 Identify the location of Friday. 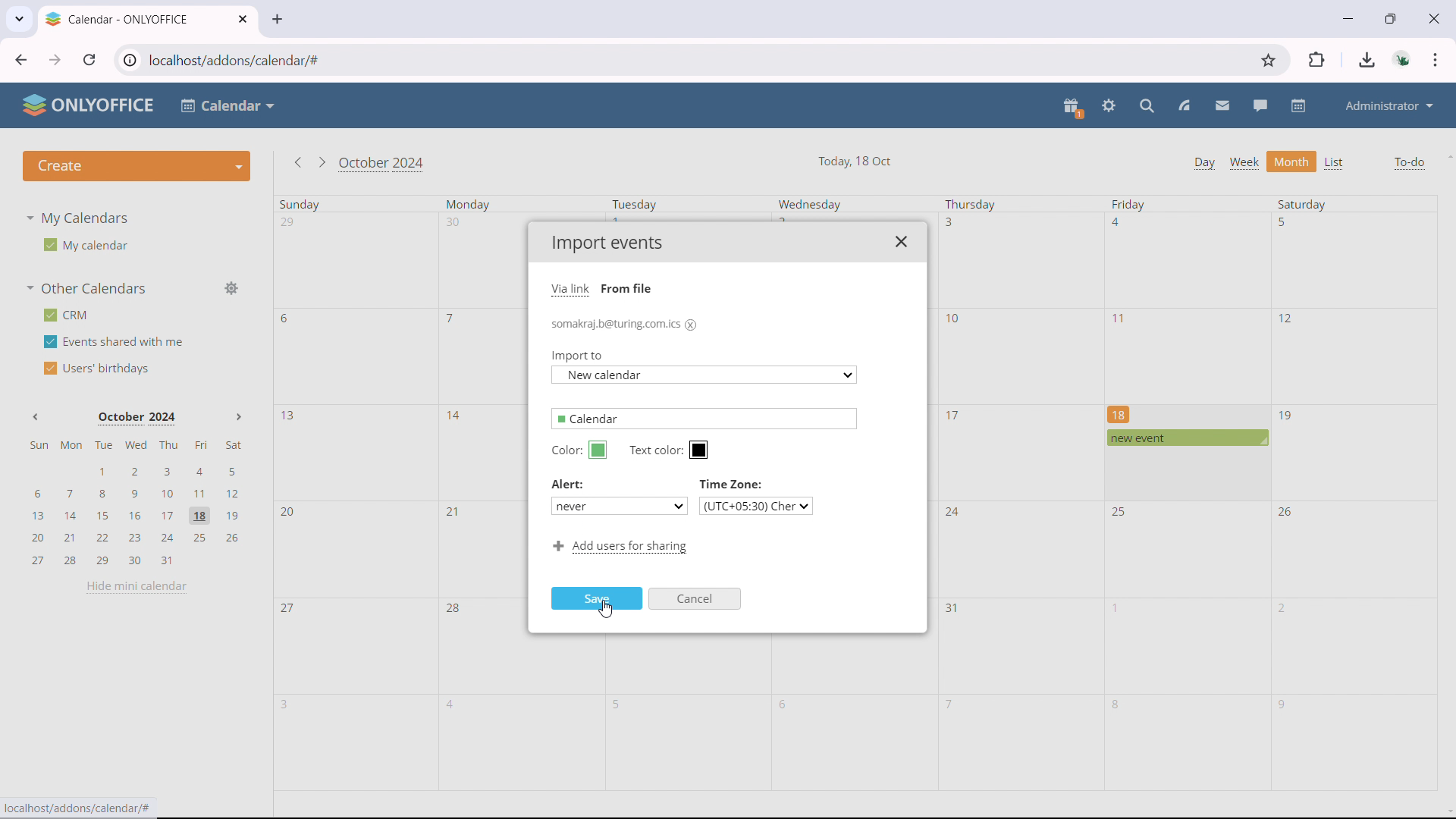
(1129, 205).